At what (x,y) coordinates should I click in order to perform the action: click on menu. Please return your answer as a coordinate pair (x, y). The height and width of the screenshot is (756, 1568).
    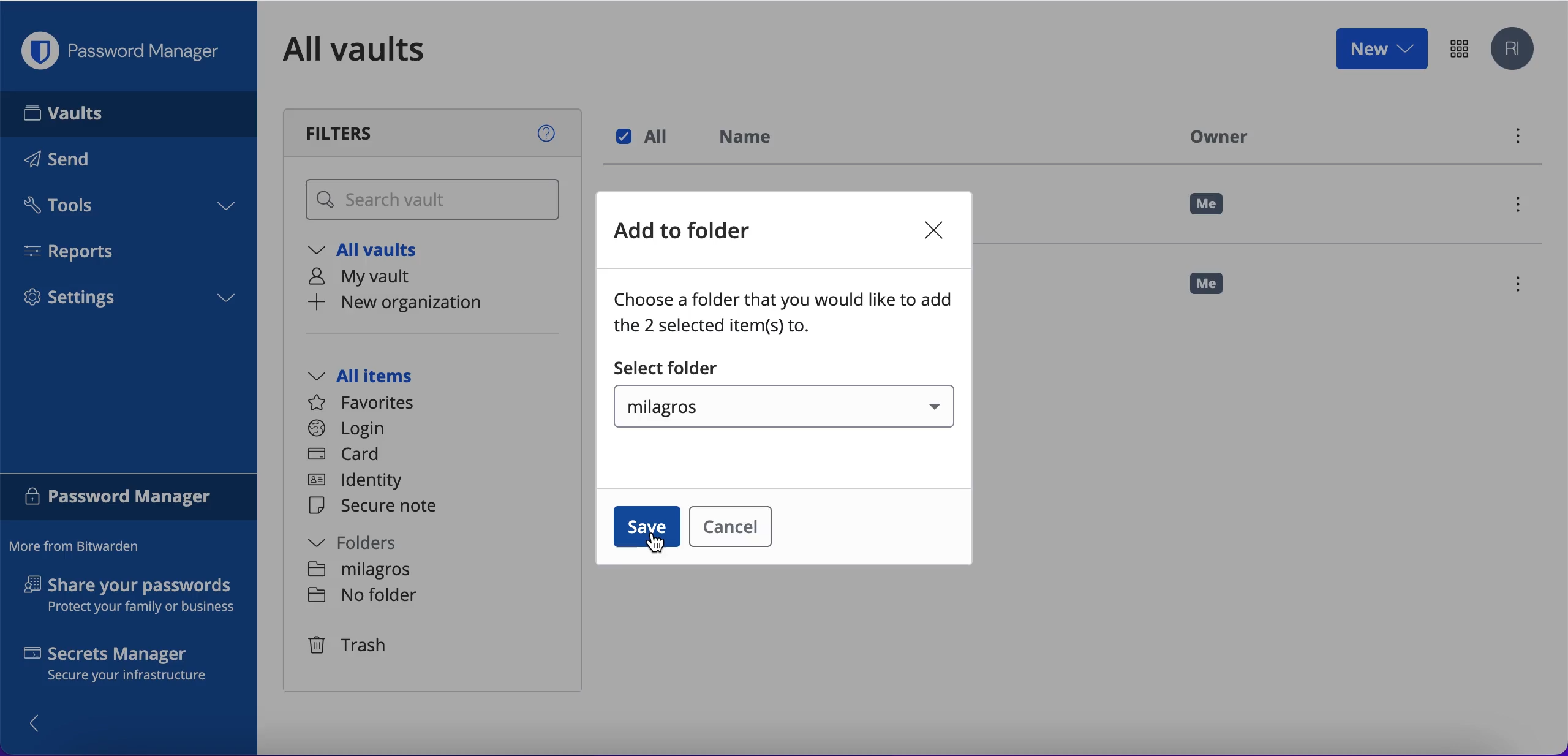
    Looking at the image, I should click on (1516, 139).